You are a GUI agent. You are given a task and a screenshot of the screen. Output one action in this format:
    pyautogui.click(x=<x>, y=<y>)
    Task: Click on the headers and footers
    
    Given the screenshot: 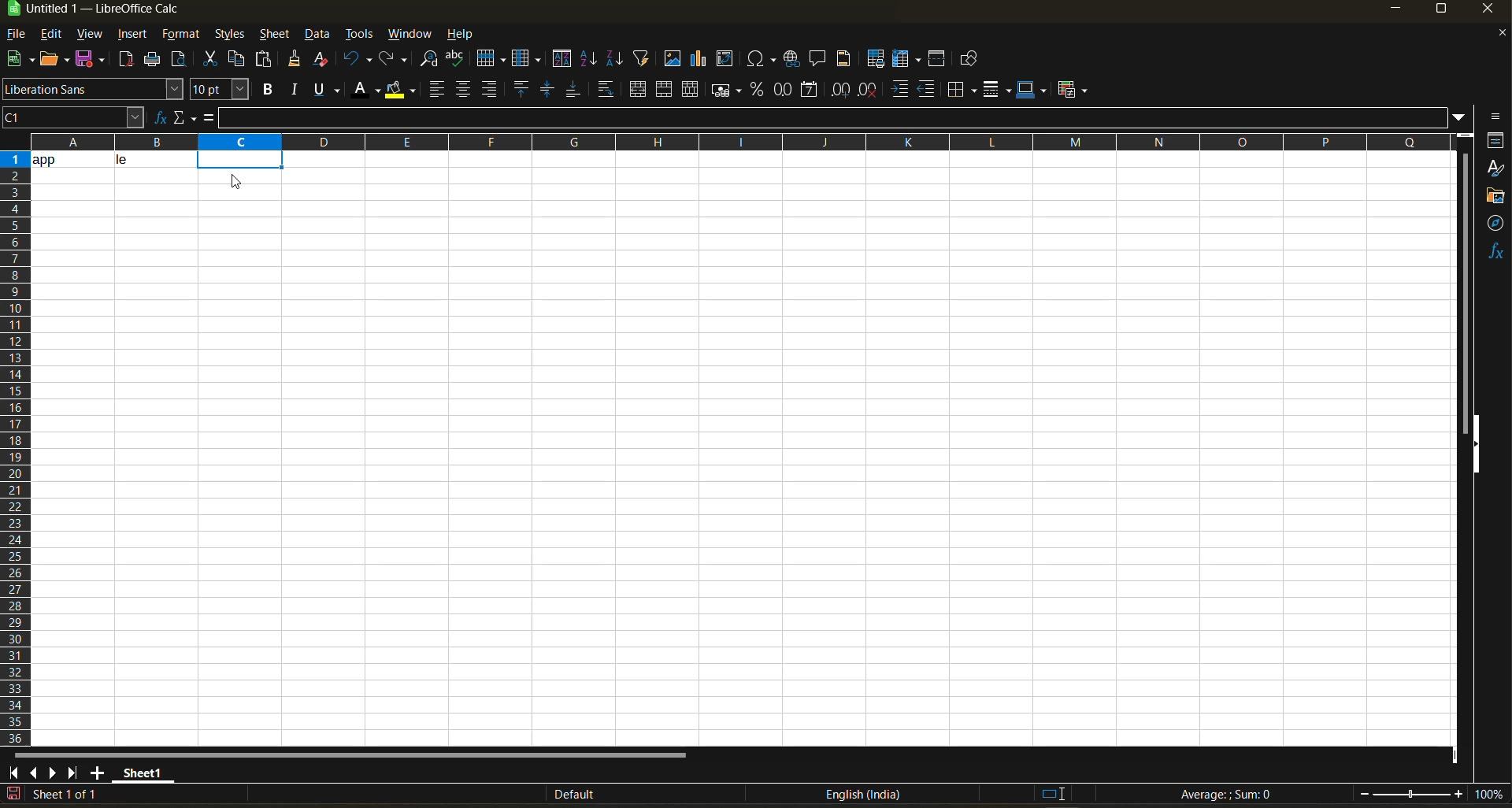 What is the action you would take?
    pyautogui.click(x=844, y=57)
    